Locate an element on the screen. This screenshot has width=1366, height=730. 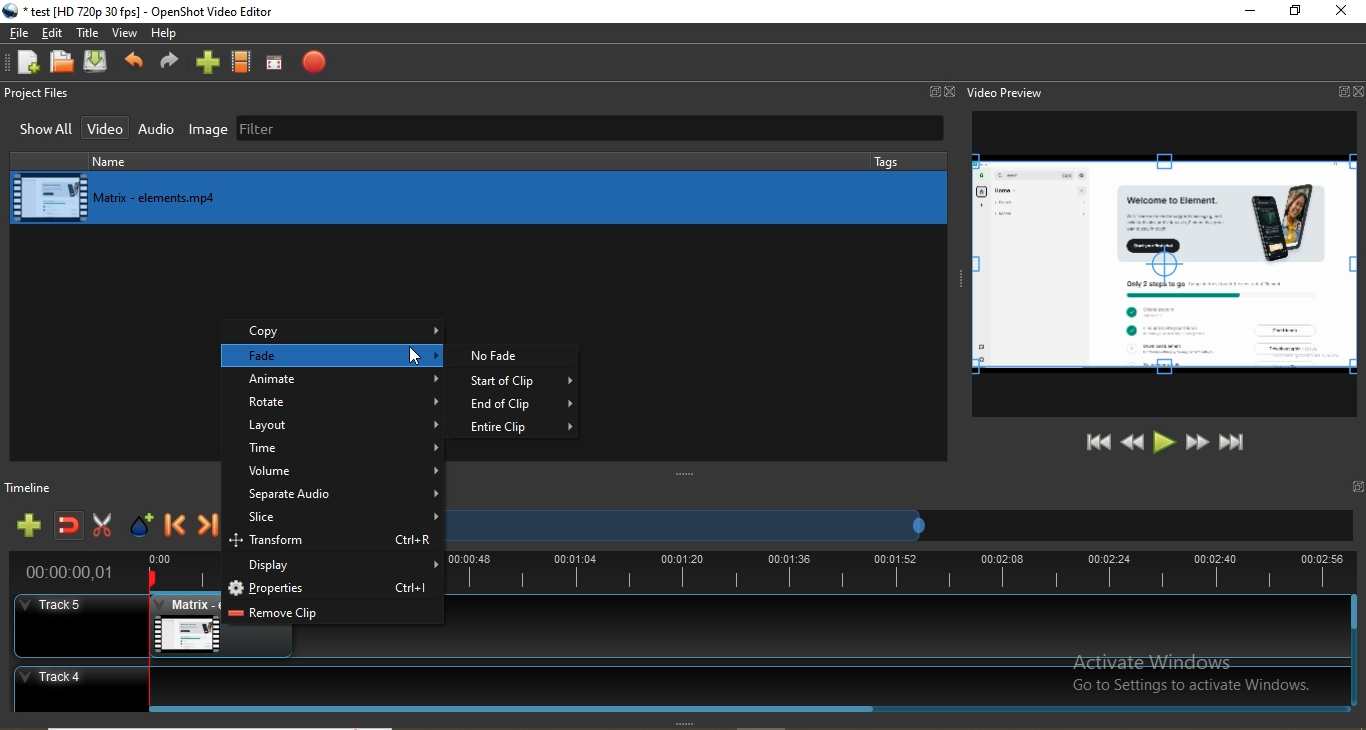
Project files is located at coordinates (42, 94).